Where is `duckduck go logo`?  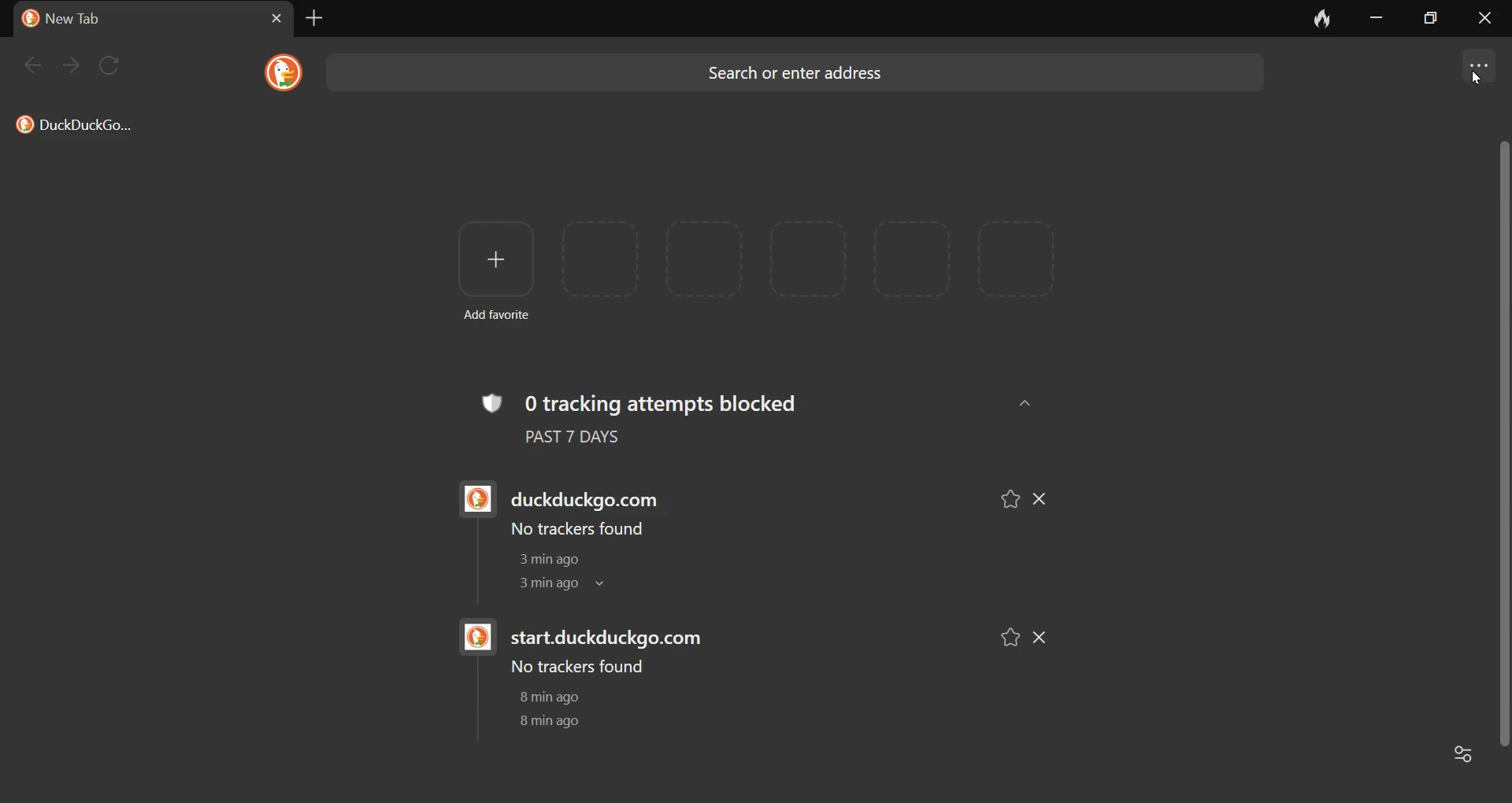 duckduck go logo is located at coordinates (280, 72).